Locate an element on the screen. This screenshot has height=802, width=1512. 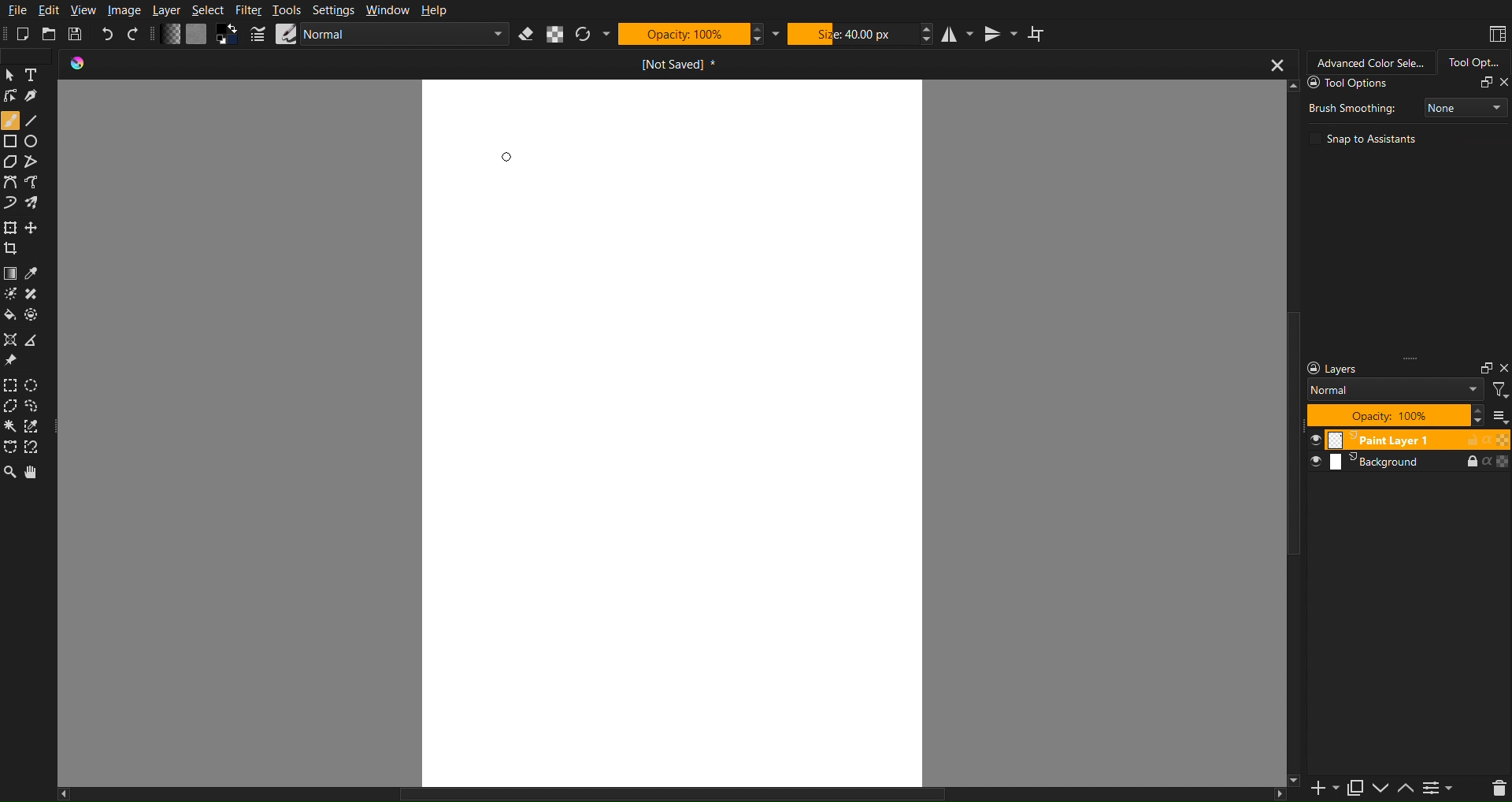
Open is located at coordinates (50, 33).